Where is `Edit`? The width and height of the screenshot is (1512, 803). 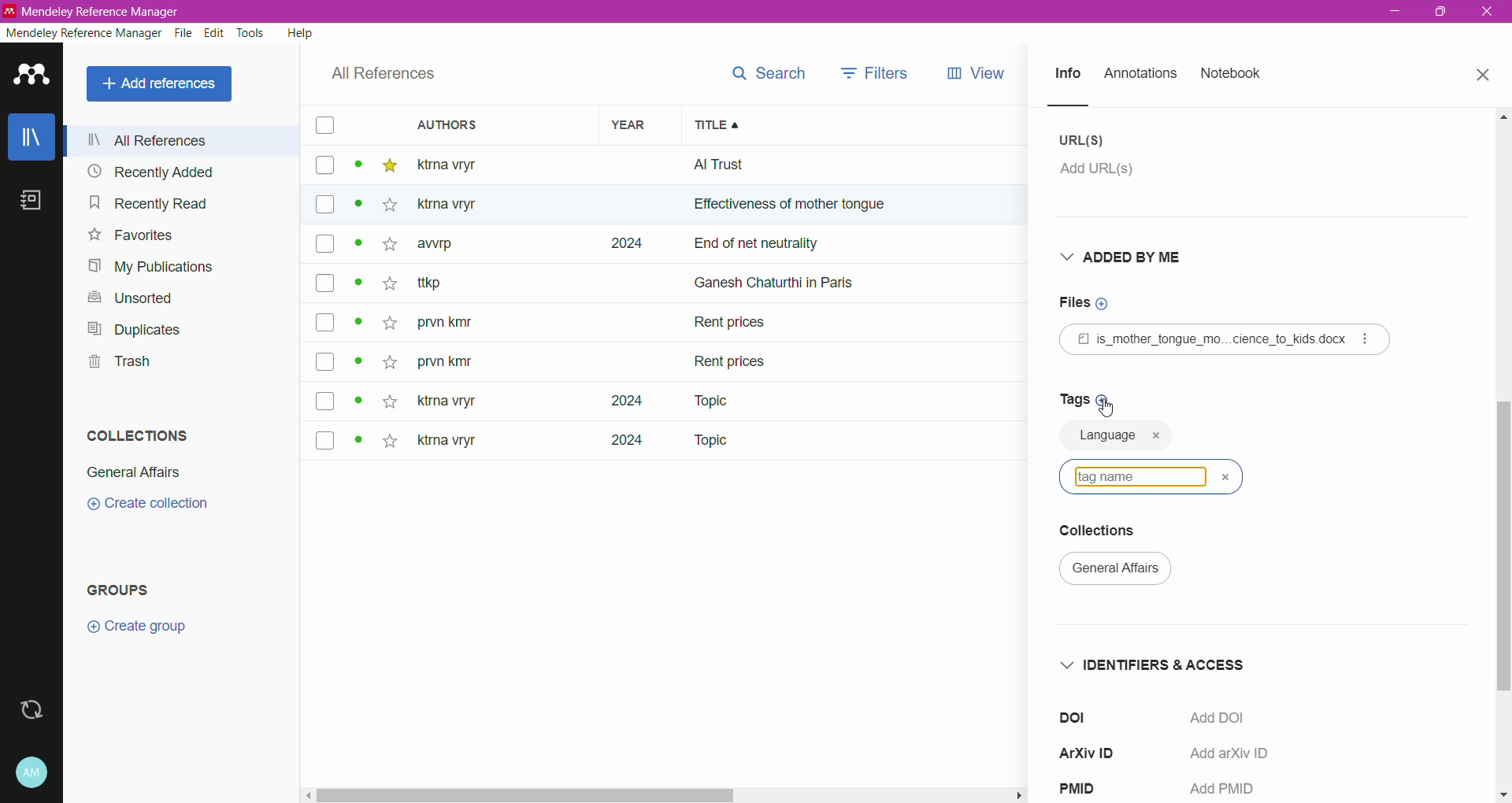
Edit is located at coordinates (216, 33).